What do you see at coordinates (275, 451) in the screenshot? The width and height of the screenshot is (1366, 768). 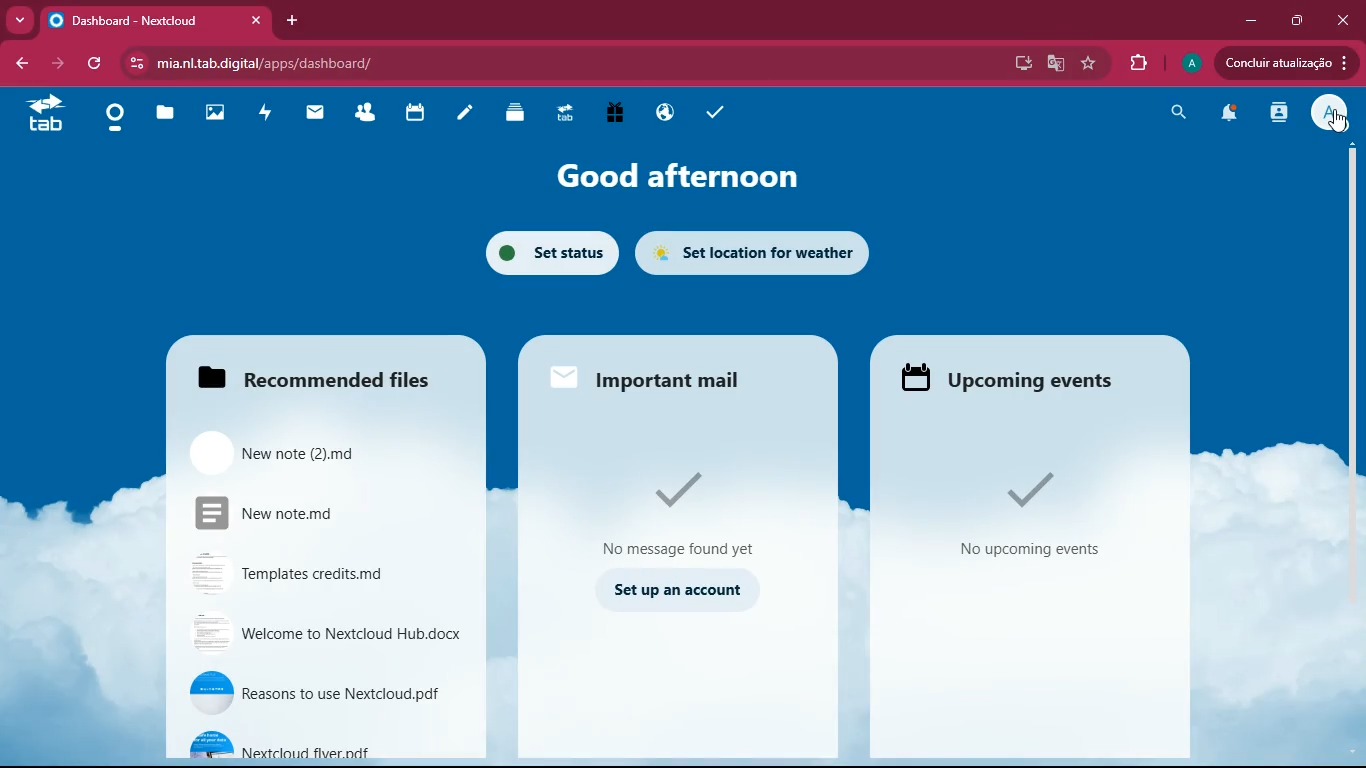 I see `New note (2).md` at bounding box center [275, 451].